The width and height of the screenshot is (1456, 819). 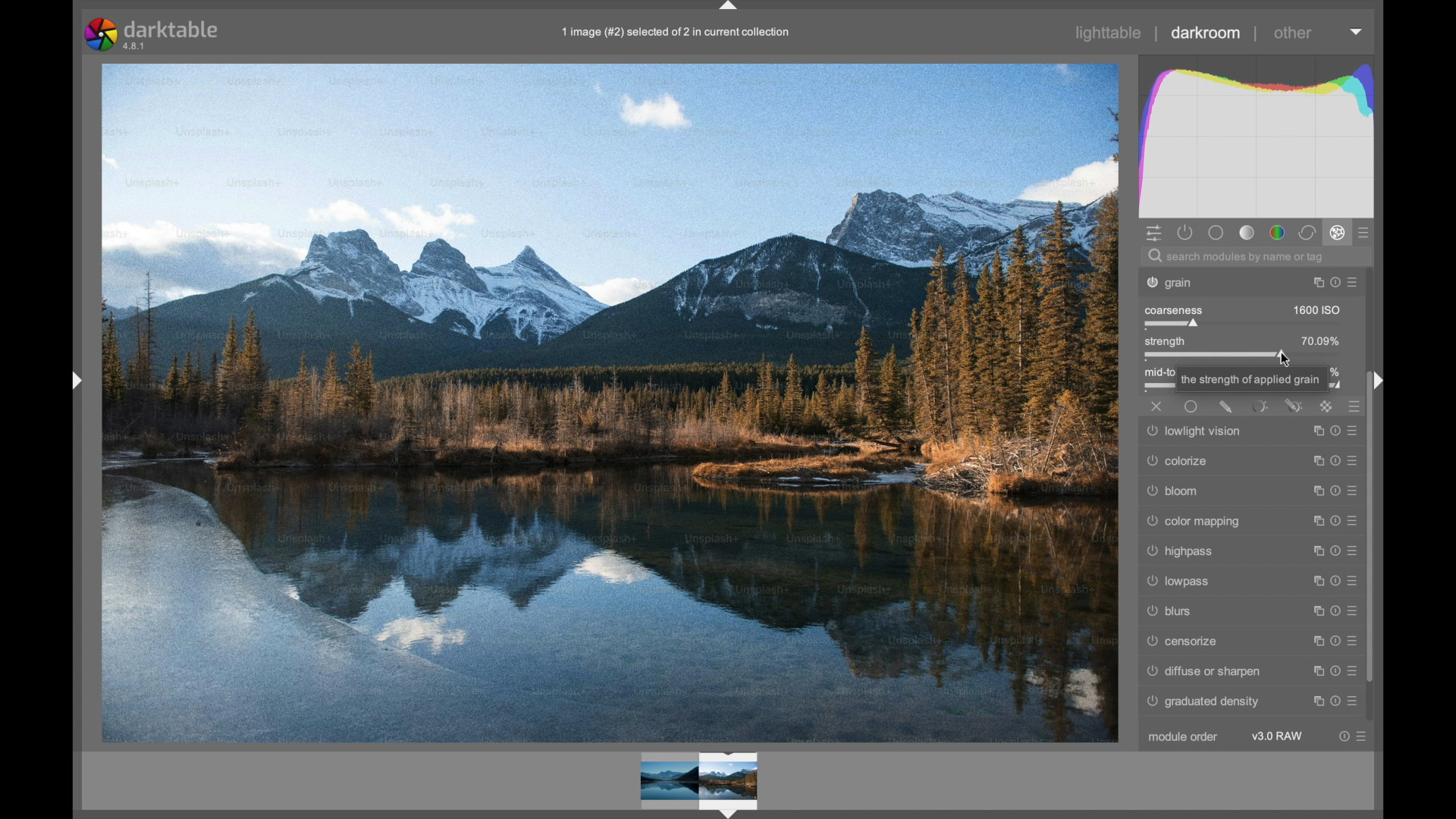 I want to click on base, so click(x=1215, y=233).